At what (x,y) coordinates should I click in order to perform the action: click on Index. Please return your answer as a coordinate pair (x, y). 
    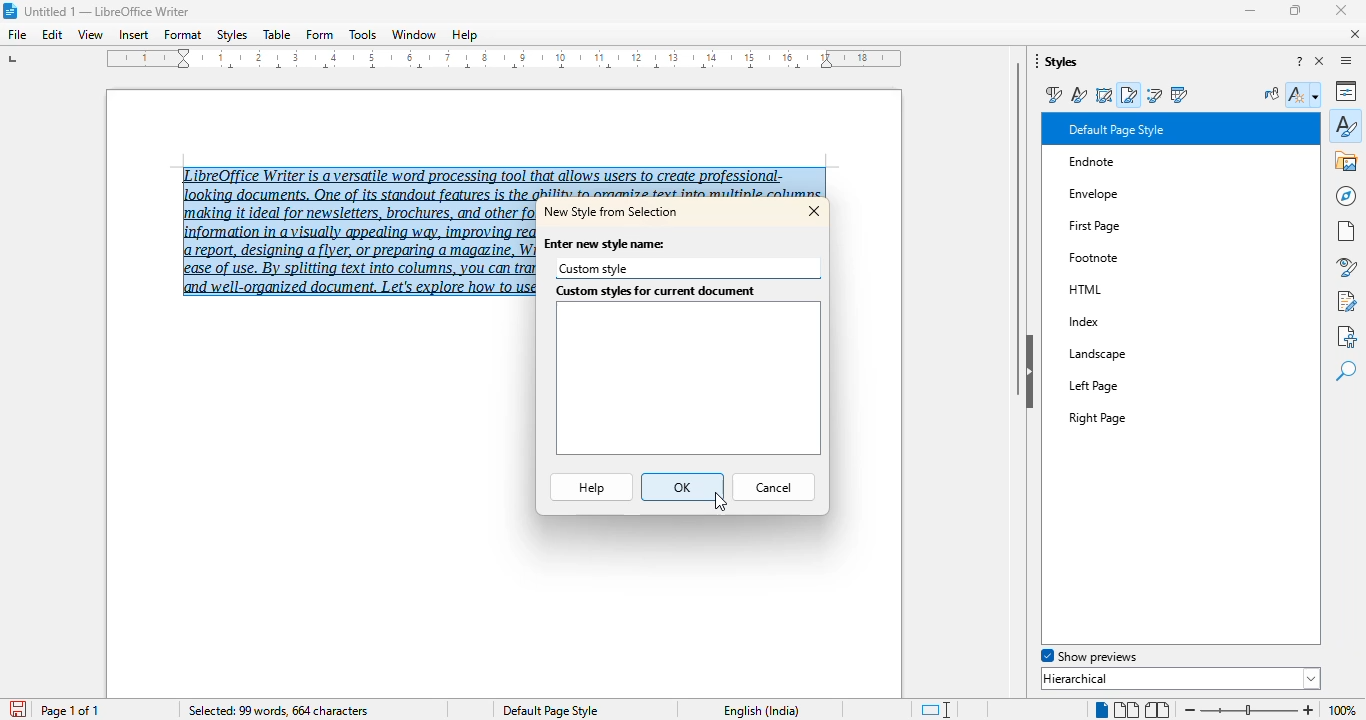
    Looking at the image, I should click on (1135, 322).